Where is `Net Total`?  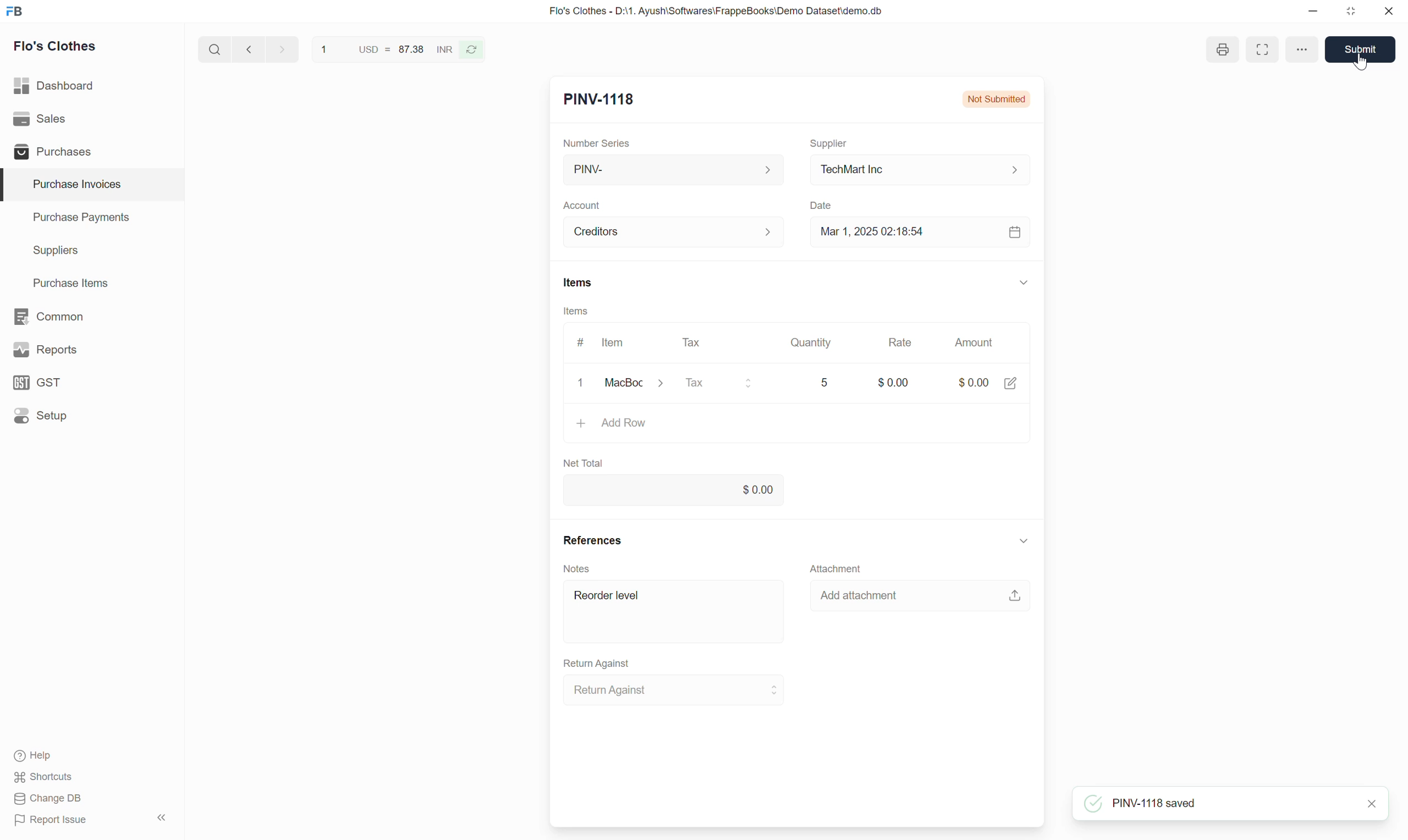
Net Total is located at coordinates (584, 464).